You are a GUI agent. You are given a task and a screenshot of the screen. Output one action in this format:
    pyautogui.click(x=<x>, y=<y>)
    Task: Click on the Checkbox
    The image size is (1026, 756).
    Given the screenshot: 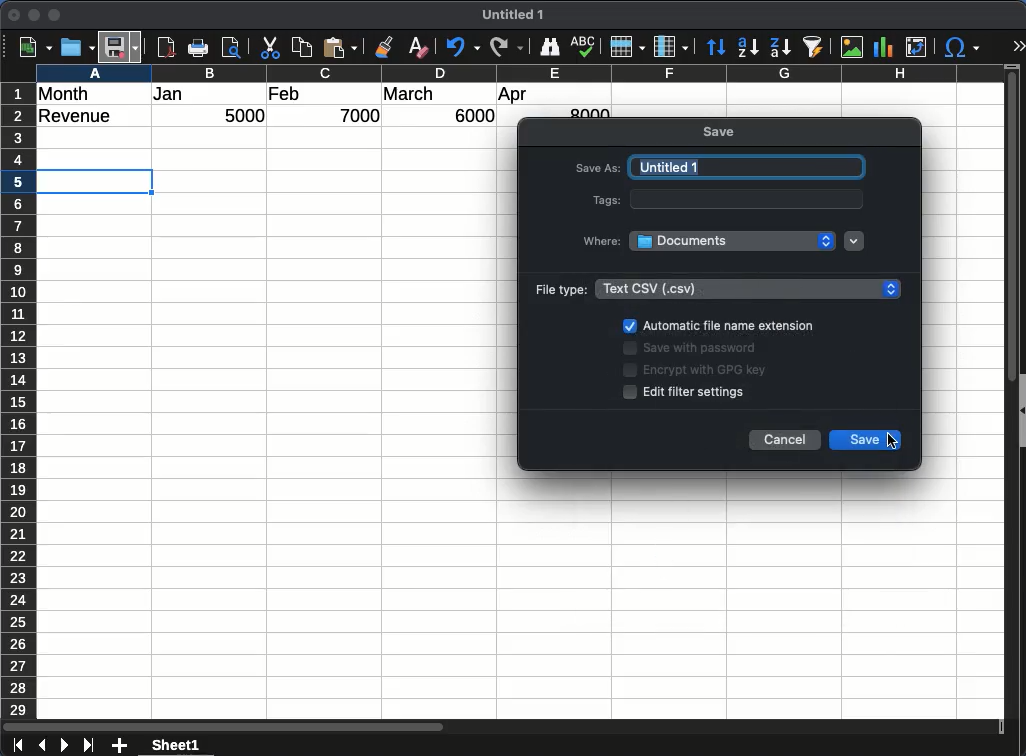 What is the action you would take?
    pyautogui.click(x=631, y=392)
    